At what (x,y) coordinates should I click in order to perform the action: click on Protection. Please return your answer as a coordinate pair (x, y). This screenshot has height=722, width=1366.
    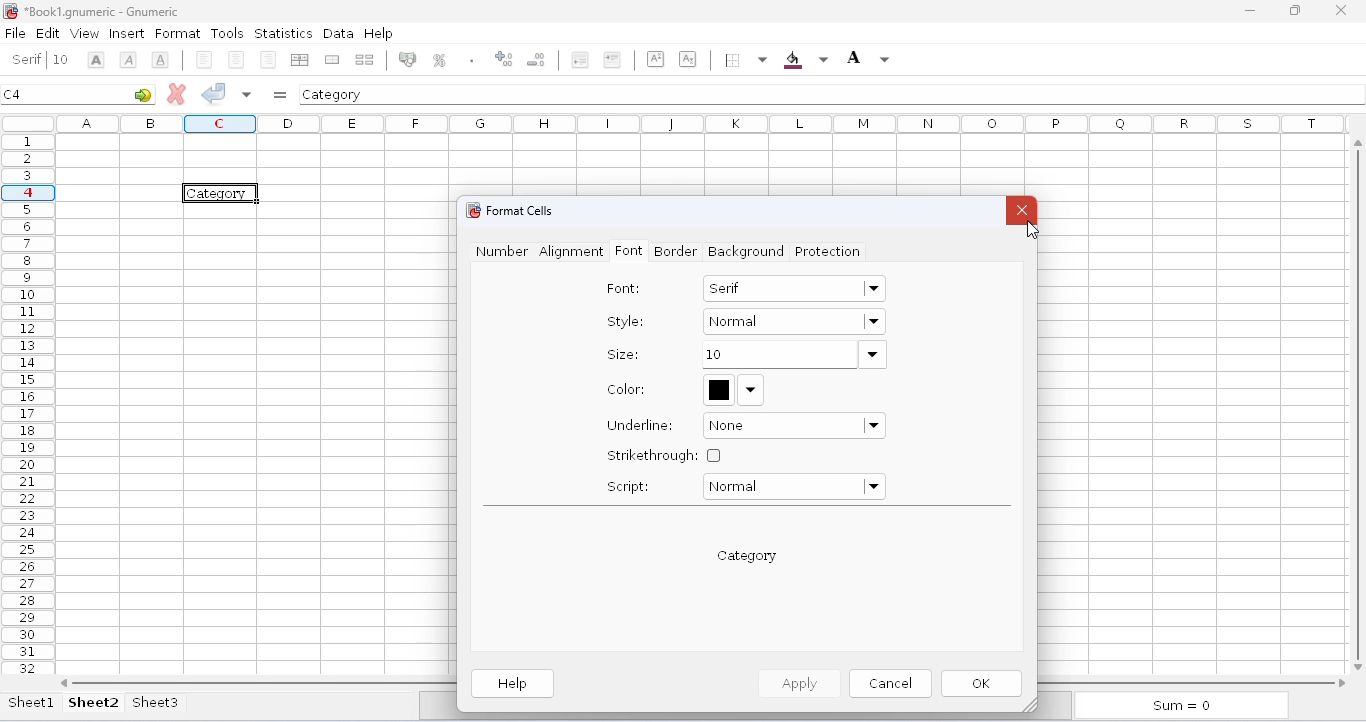
    Looking at the image, I should click on (829, 253).